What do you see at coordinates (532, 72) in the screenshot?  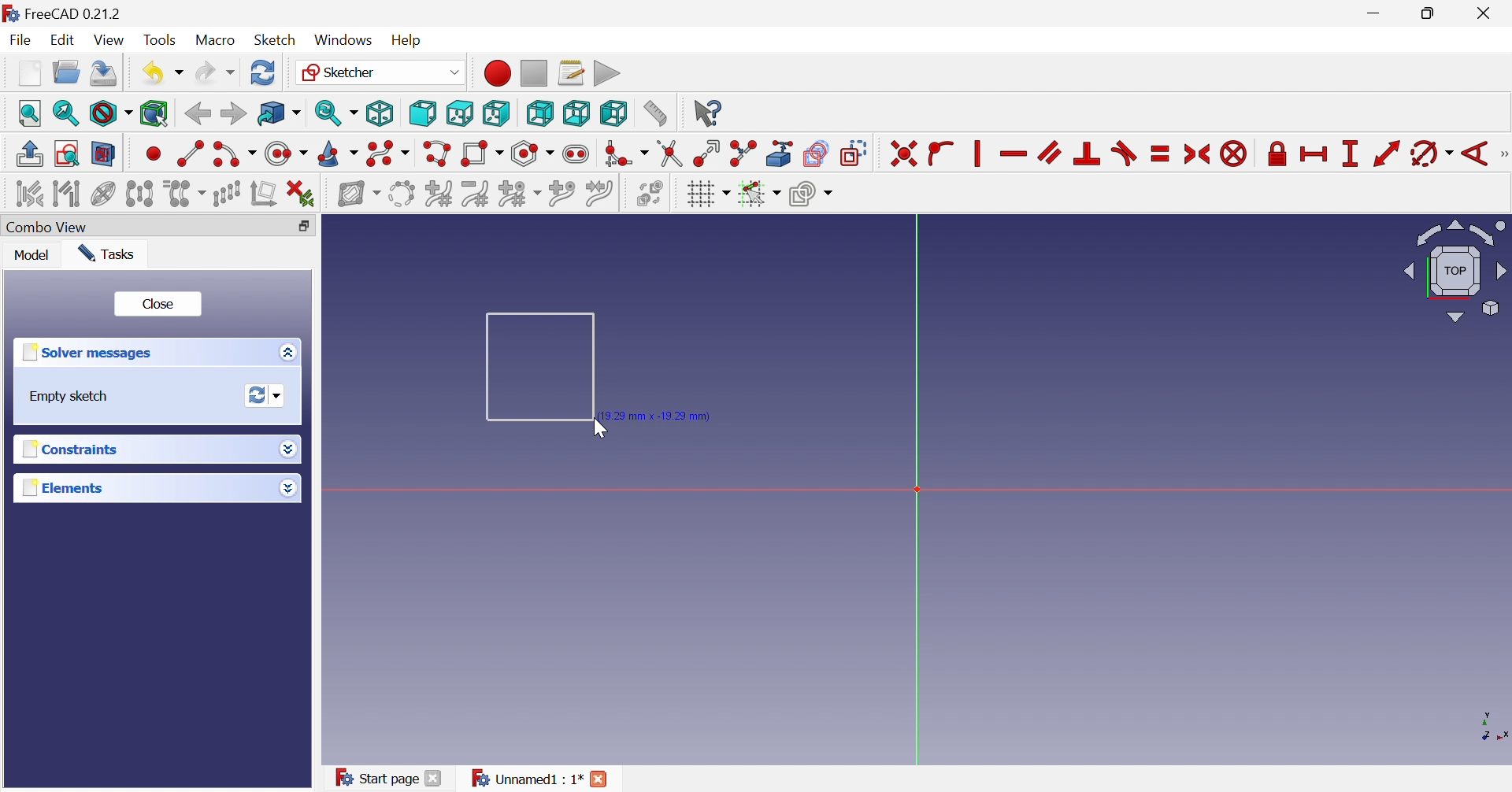 I see `Stop macro recording` at bounding box center [532, 72].